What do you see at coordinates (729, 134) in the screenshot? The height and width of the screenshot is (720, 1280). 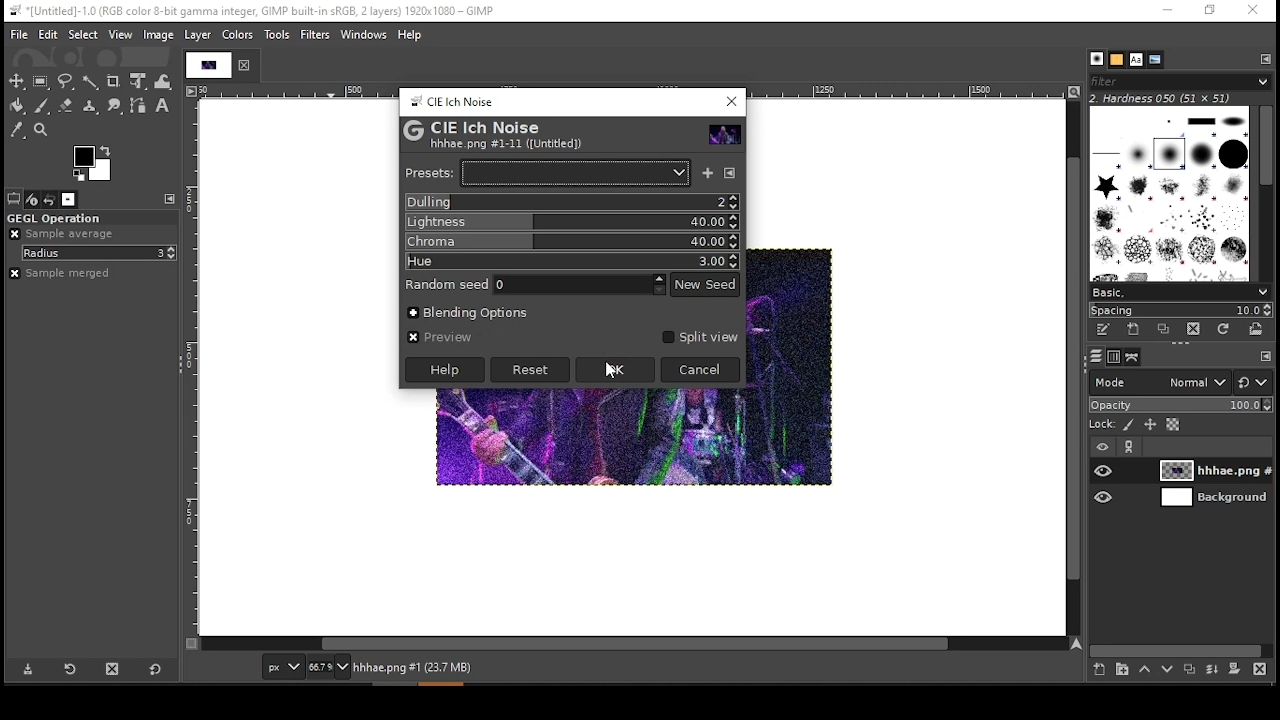 I see `preview thumbnail` at bounding box center [729, 134].